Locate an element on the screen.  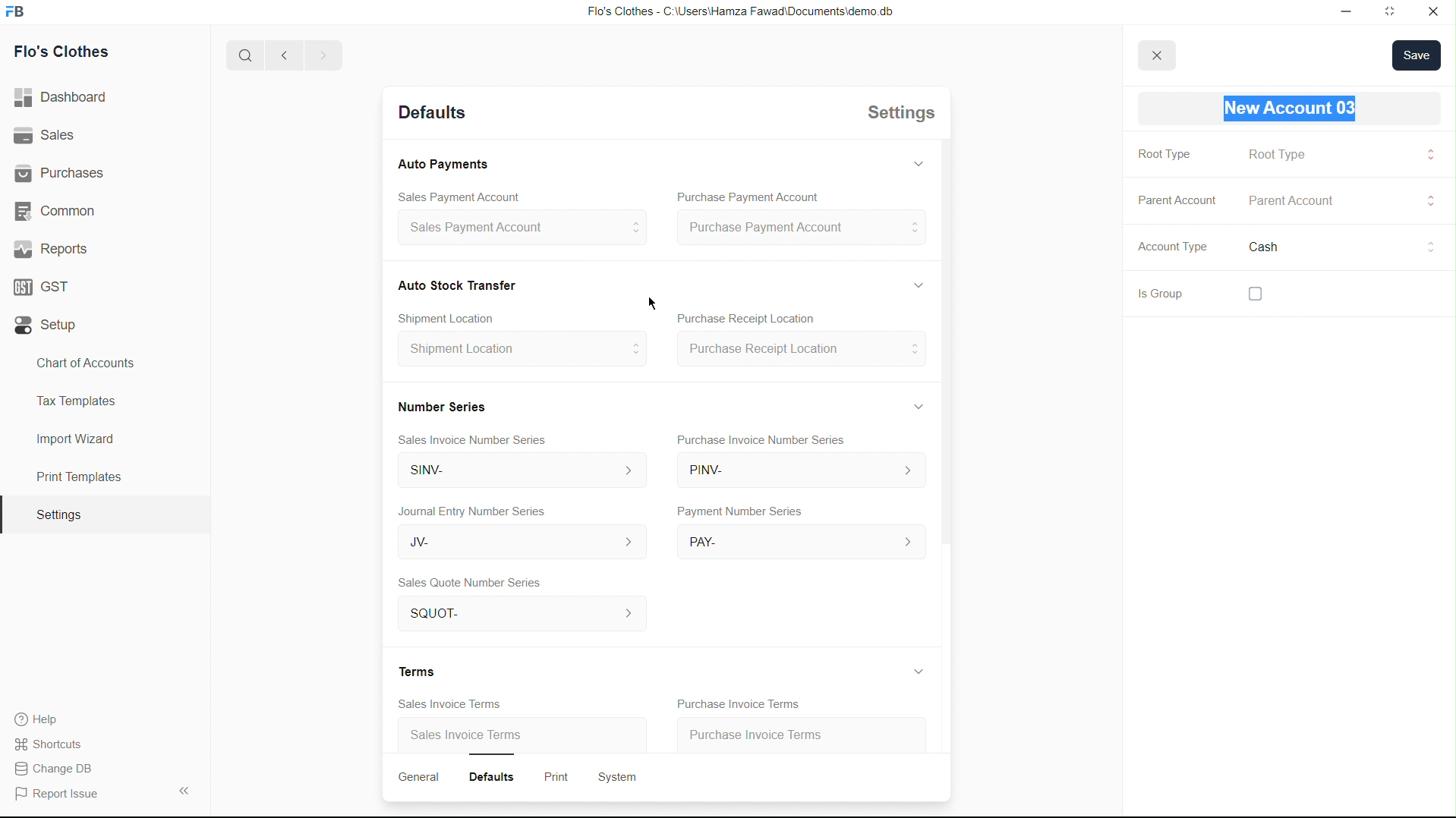
Account Type is located at coordinates (1170, 250).